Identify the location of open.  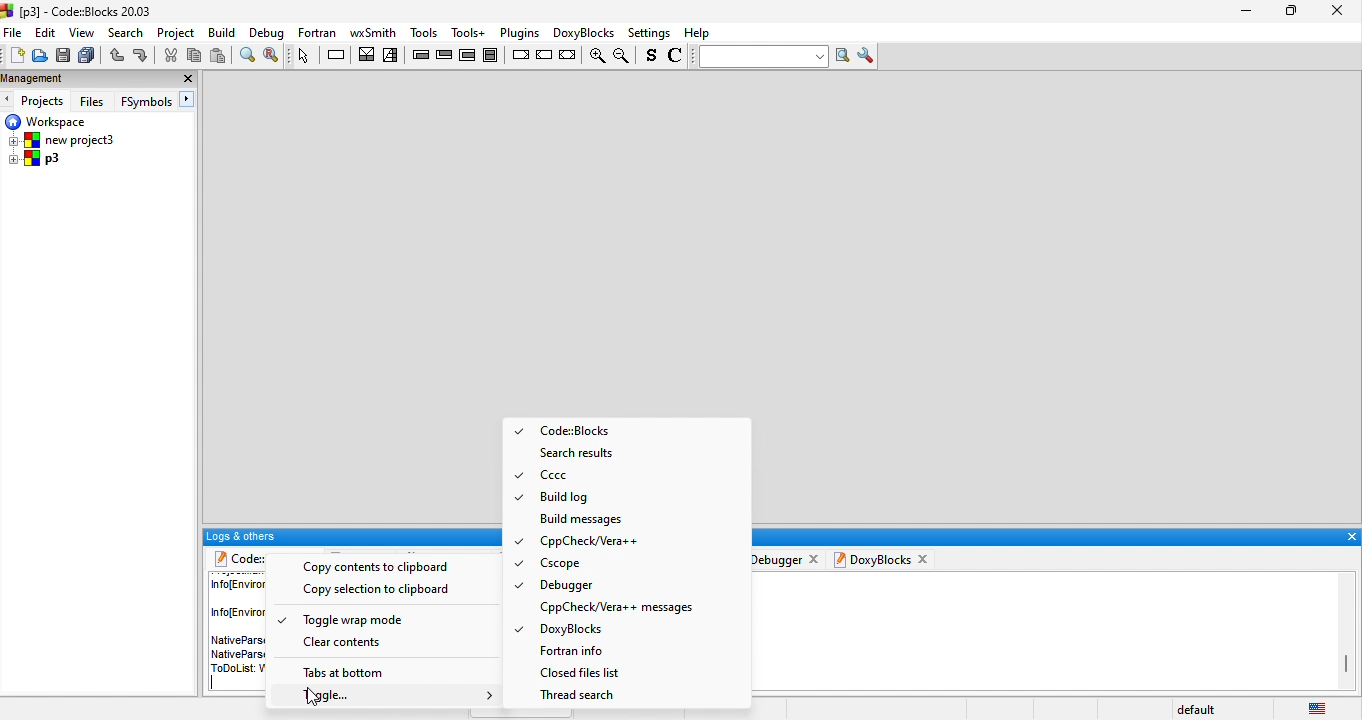
(39, 57).